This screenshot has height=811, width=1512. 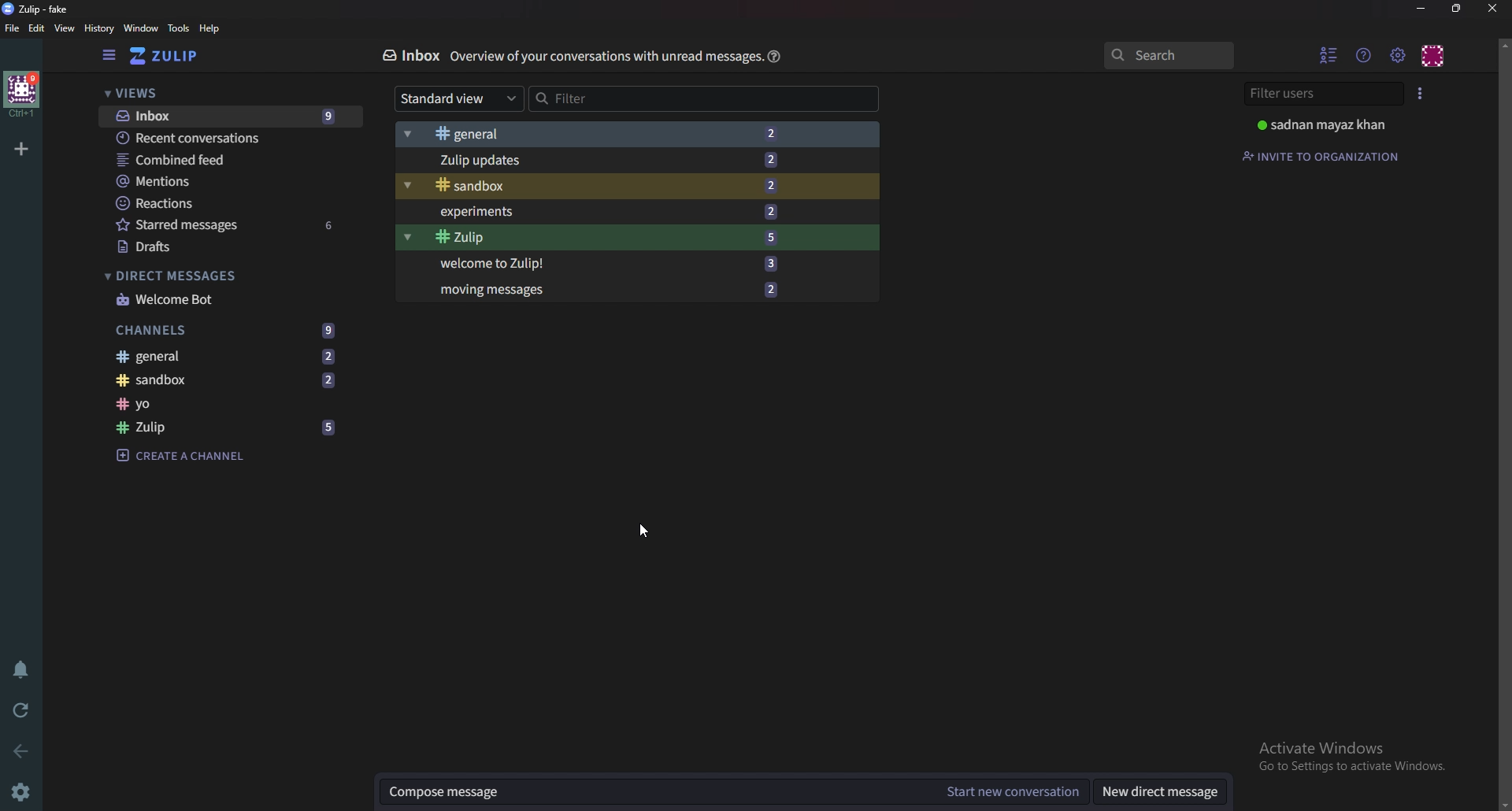 I want to click on Moving messages, so click(x=618, y=290).